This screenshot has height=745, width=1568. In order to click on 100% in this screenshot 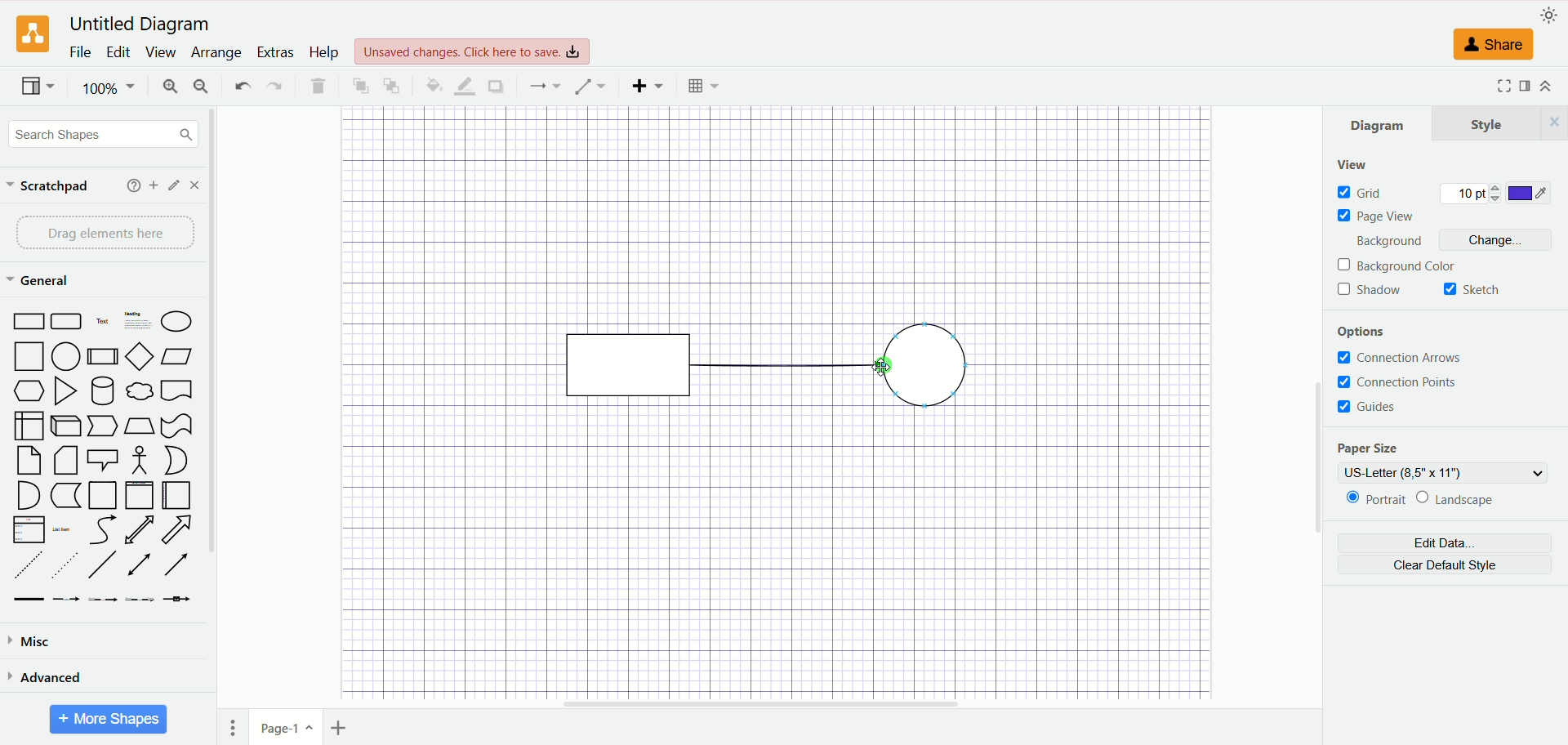, I will do `click(109, 87)`.